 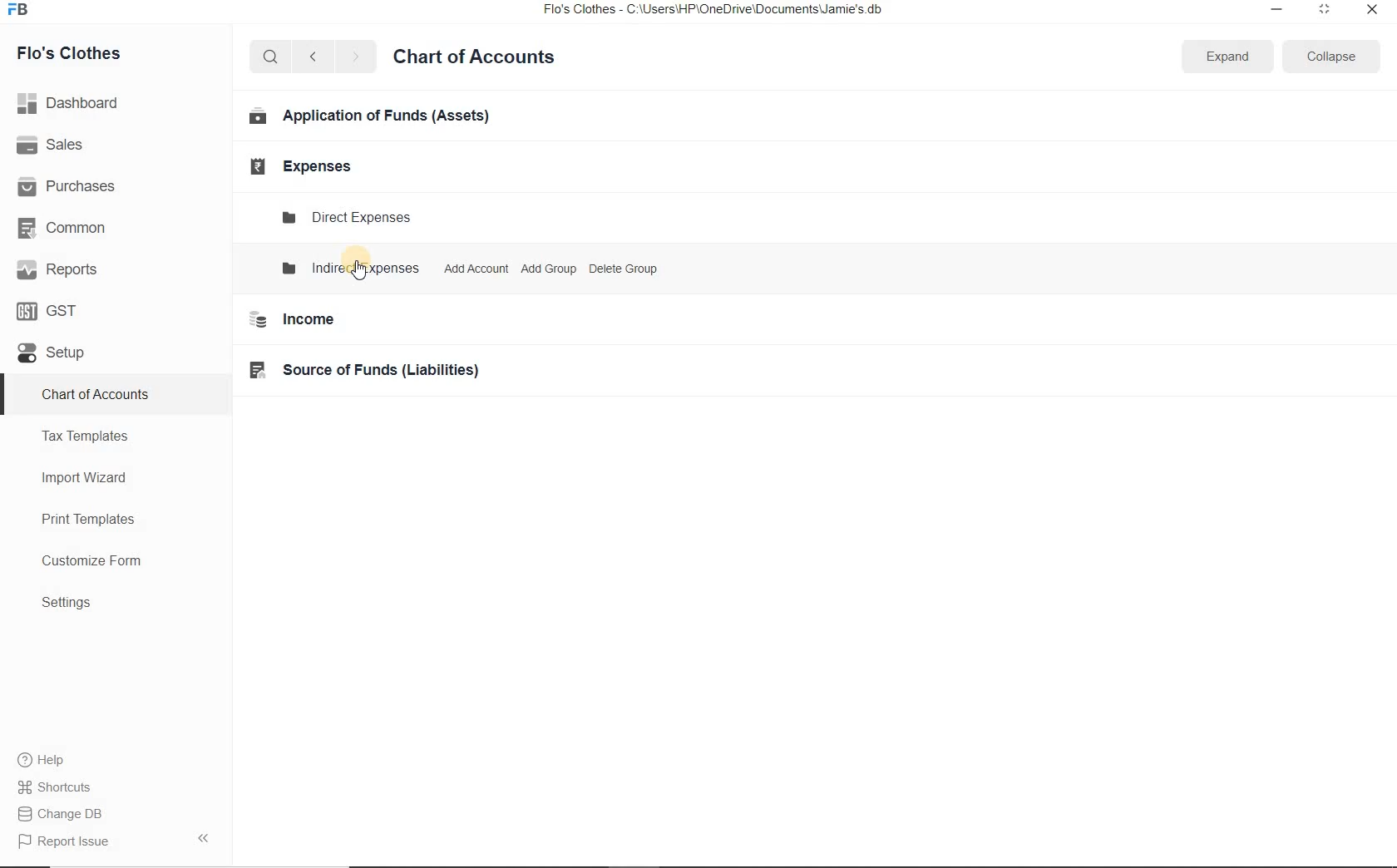 I want to click on frappe books logo, so click(x=22, y=11).